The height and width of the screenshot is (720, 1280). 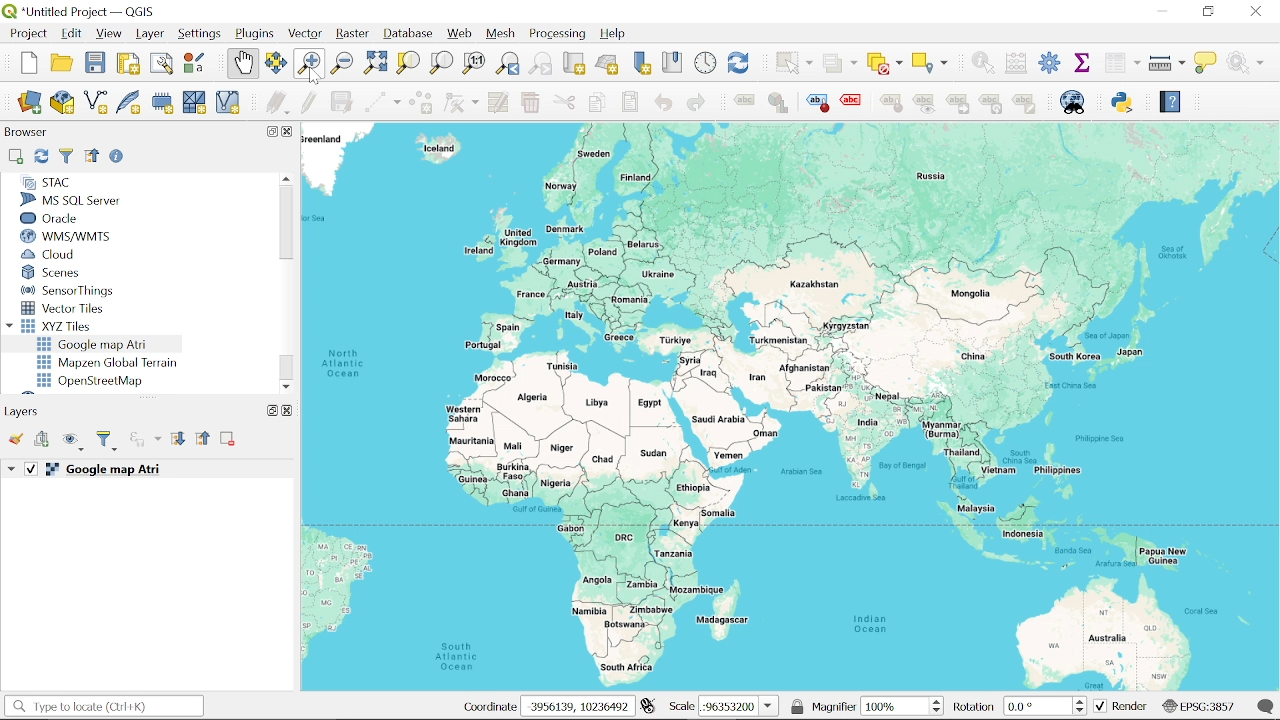 What do you see at coordinates (648, 706) in the screenshot?
I see `longnitude latitude` at bounding box center [648, 706].